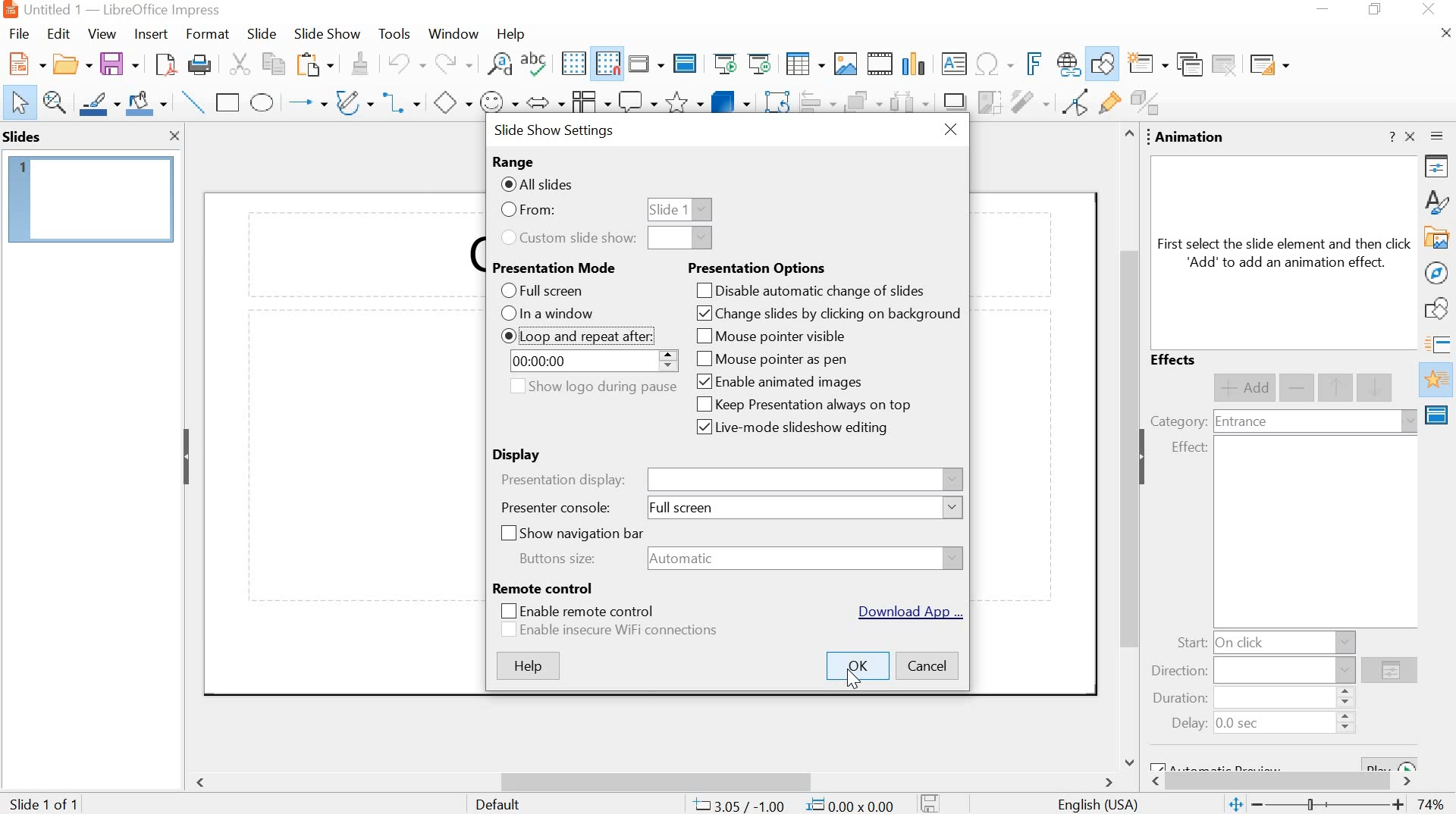 This screenshot has width=1456, height=814. Describe the element at coordinates (557, 508) in the screenshot. I see `presenter console` at that location.